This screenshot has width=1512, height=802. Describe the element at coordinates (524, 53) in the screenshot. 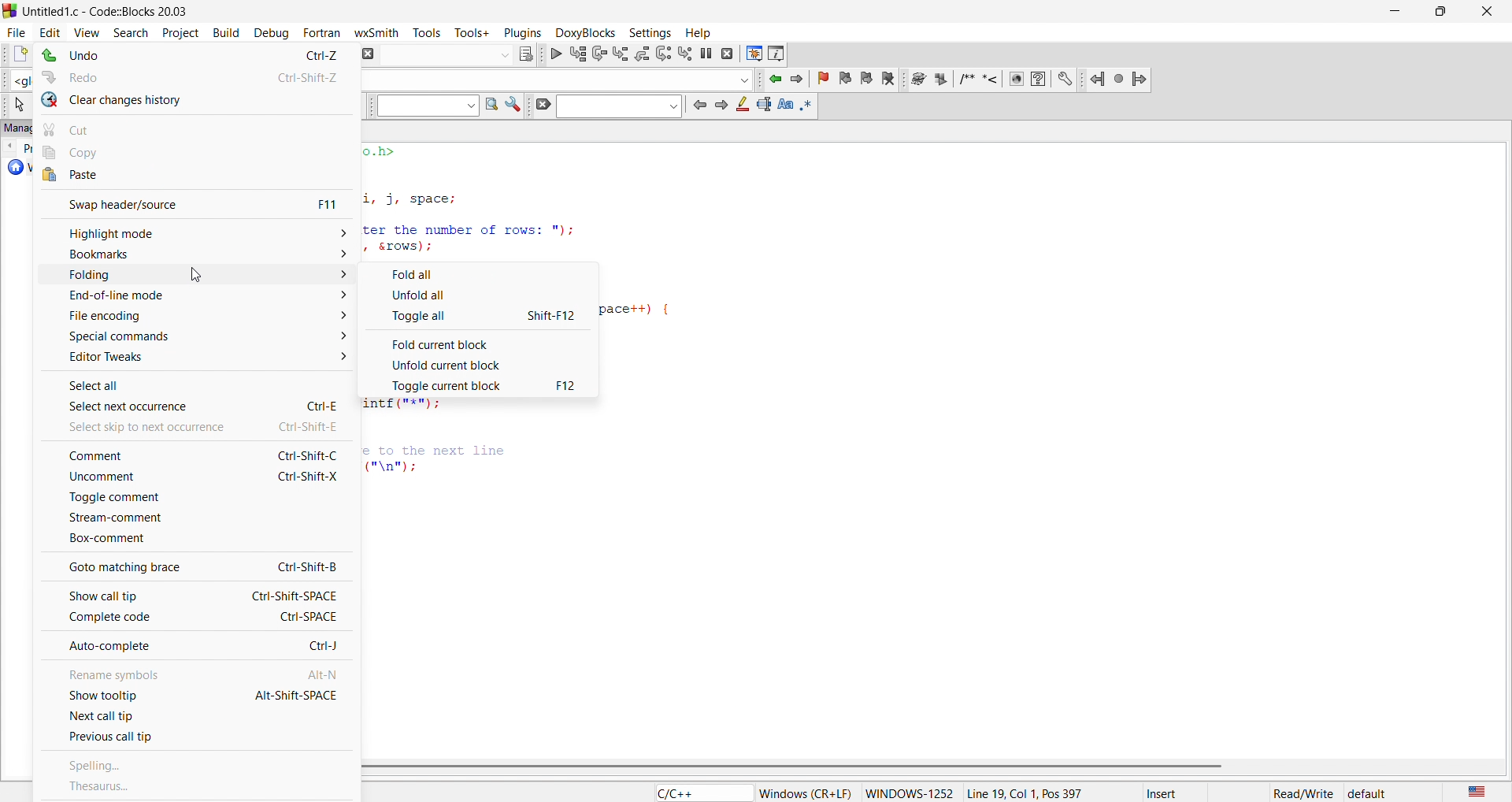

I see `show selected target dialog` at that location.